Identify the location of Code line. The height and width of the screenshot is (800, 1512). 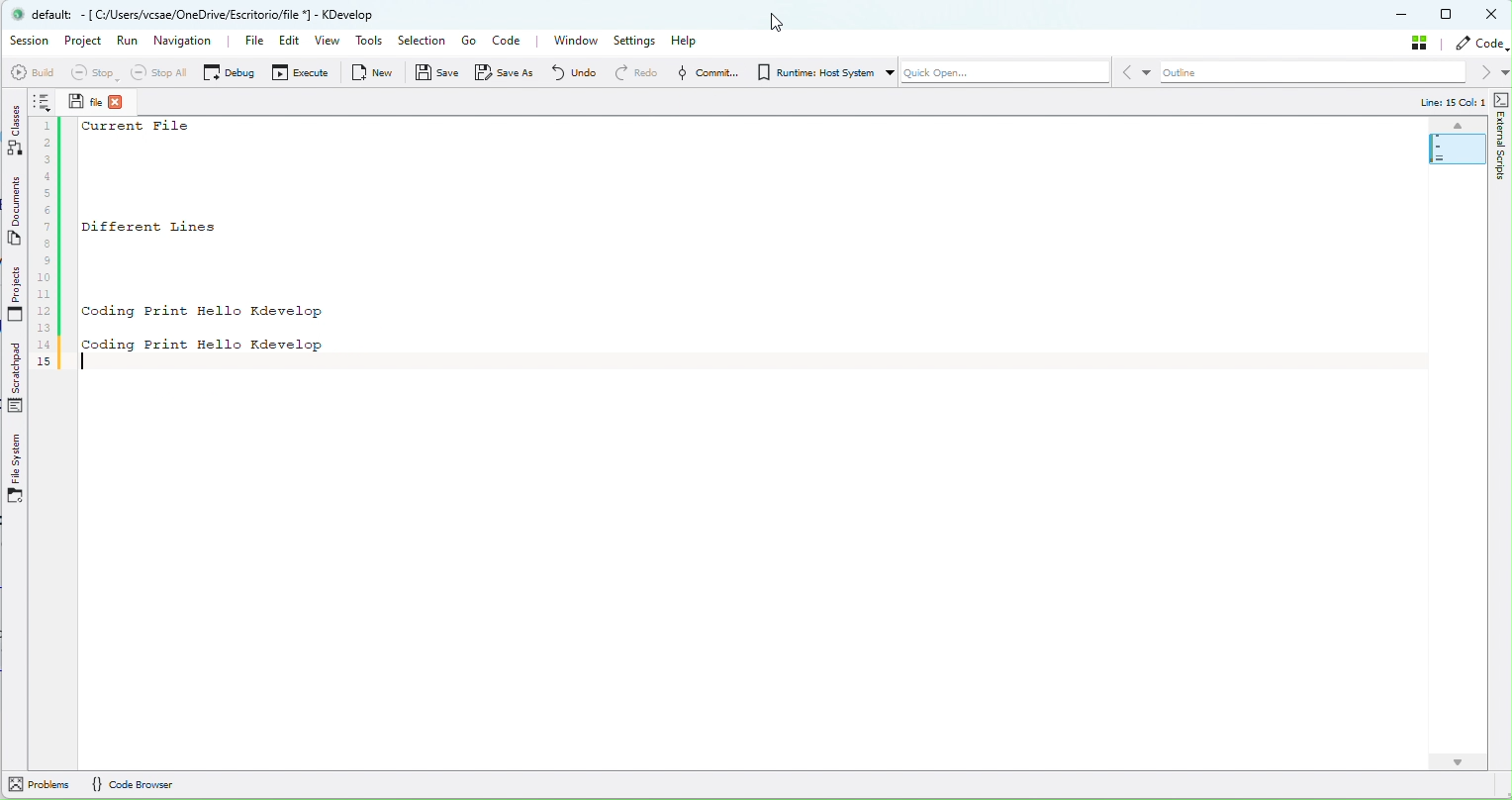
(46, 233).